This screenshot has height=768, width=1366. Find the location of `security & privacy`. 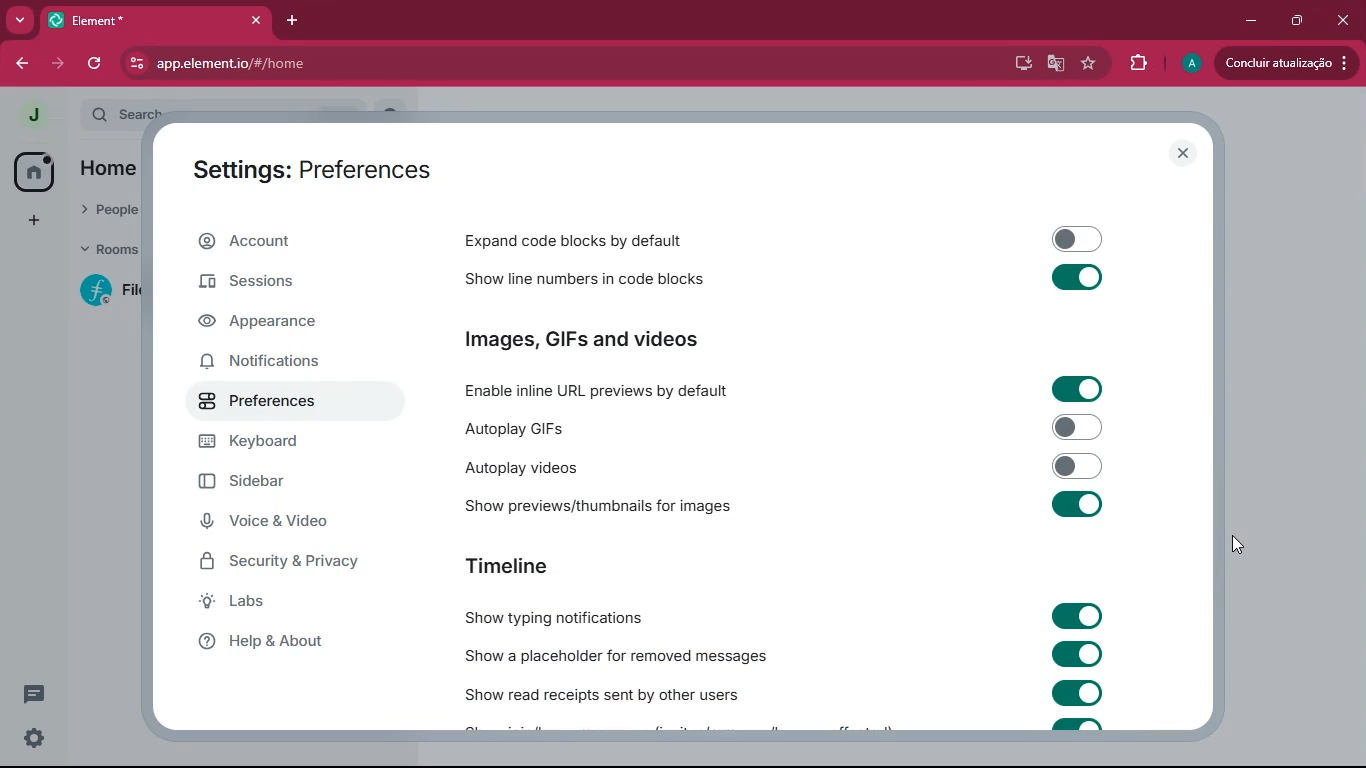

security & privacy is located at coordinates (292, 562).